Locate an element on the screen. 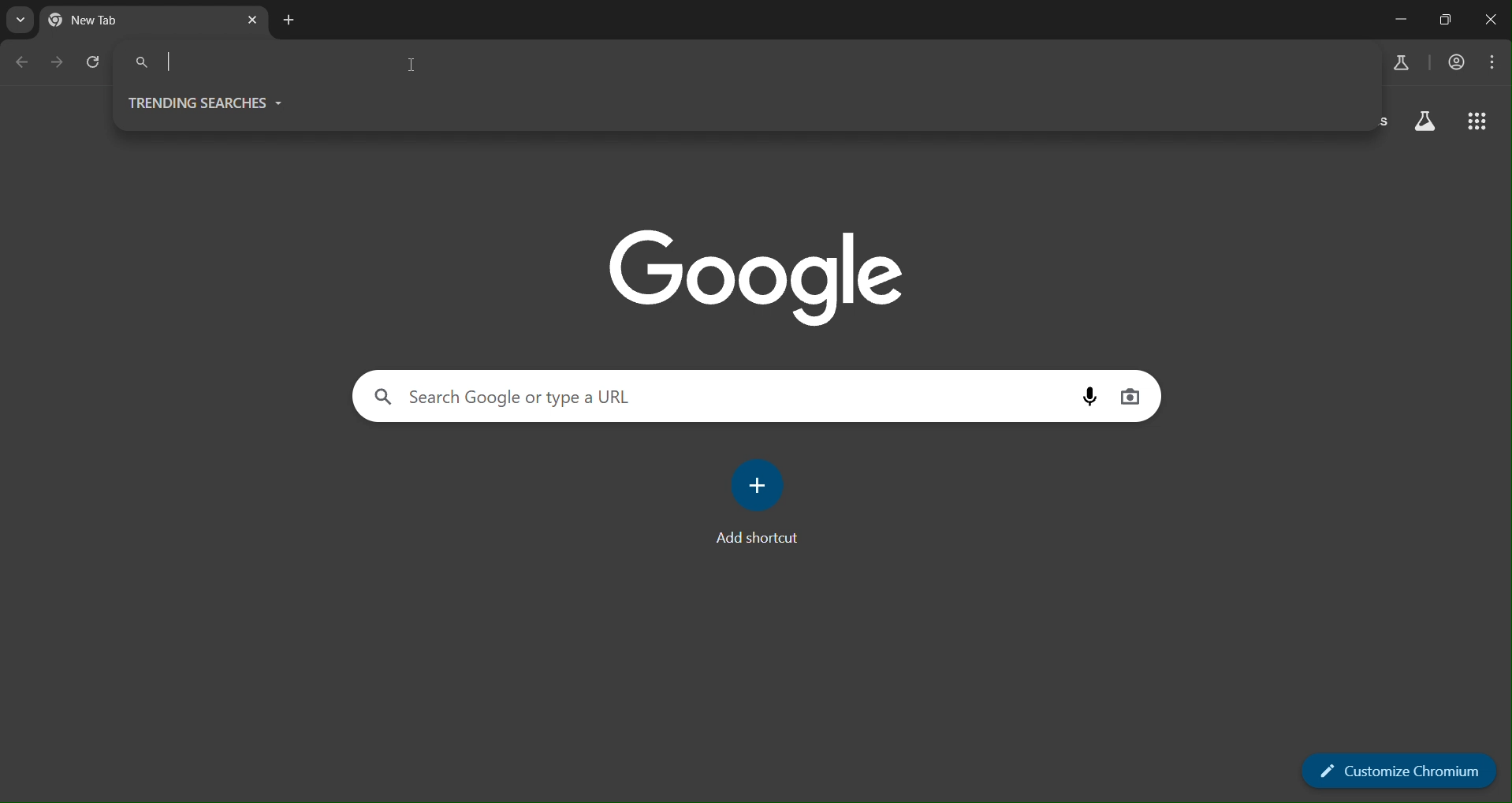 The width and height of the screenshot is (1512, 803). google is located at coordinates (754, 279).